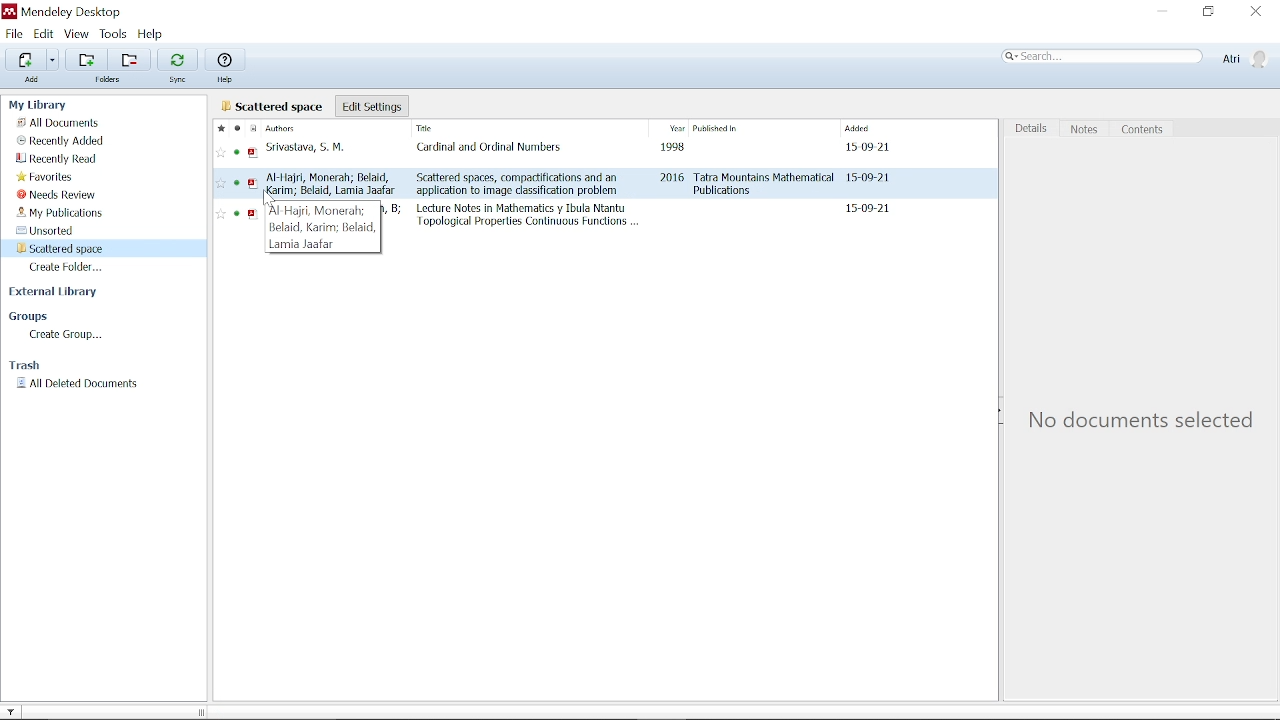 This screenshot has height=720, width=1280. What do you see at coordinates (485, 148) in the screenshot?
I see `title` at bounding box center [485, 148].